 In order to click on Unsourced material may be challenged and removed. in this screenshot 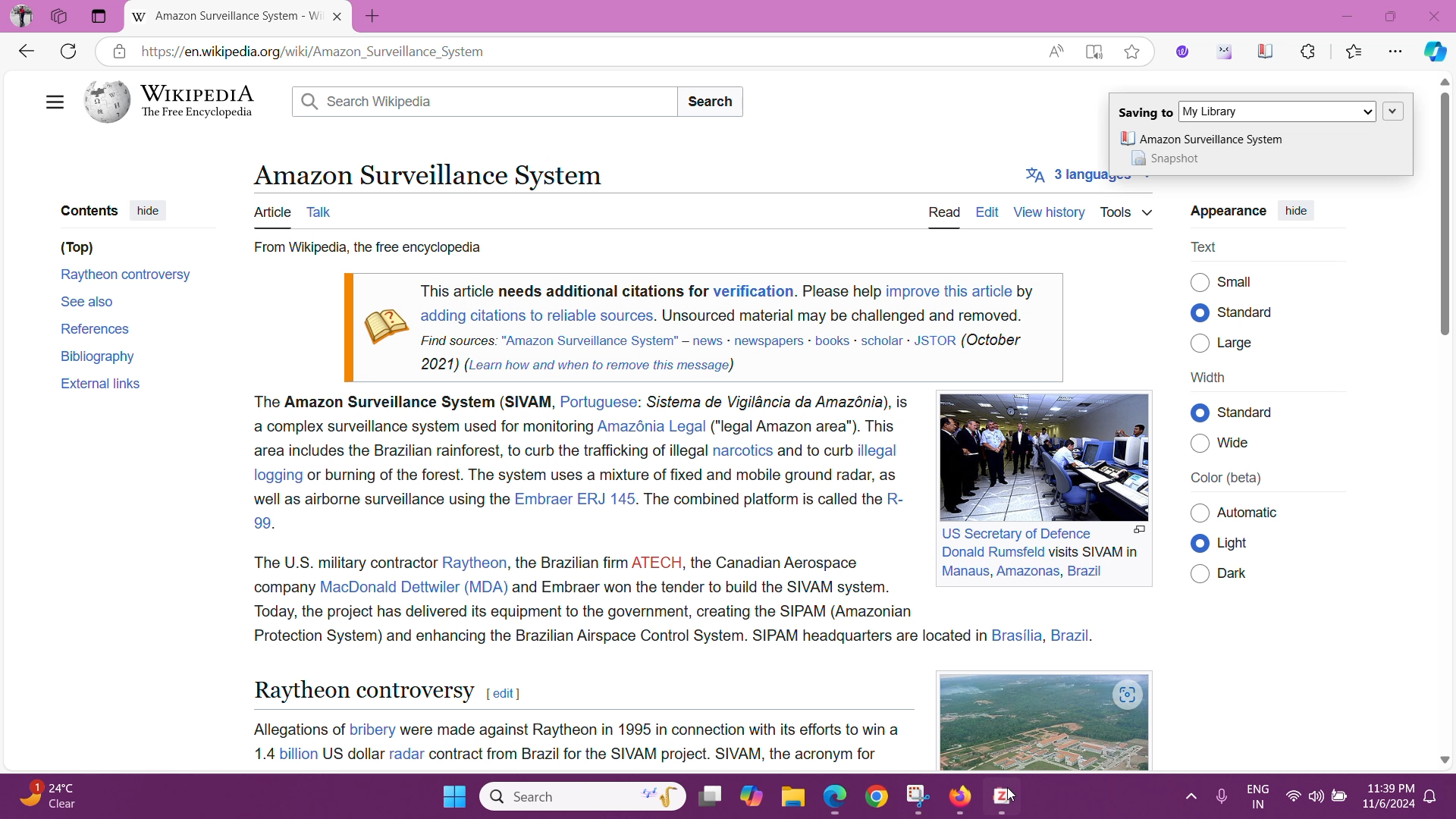, I will do `click(842, 315)`.